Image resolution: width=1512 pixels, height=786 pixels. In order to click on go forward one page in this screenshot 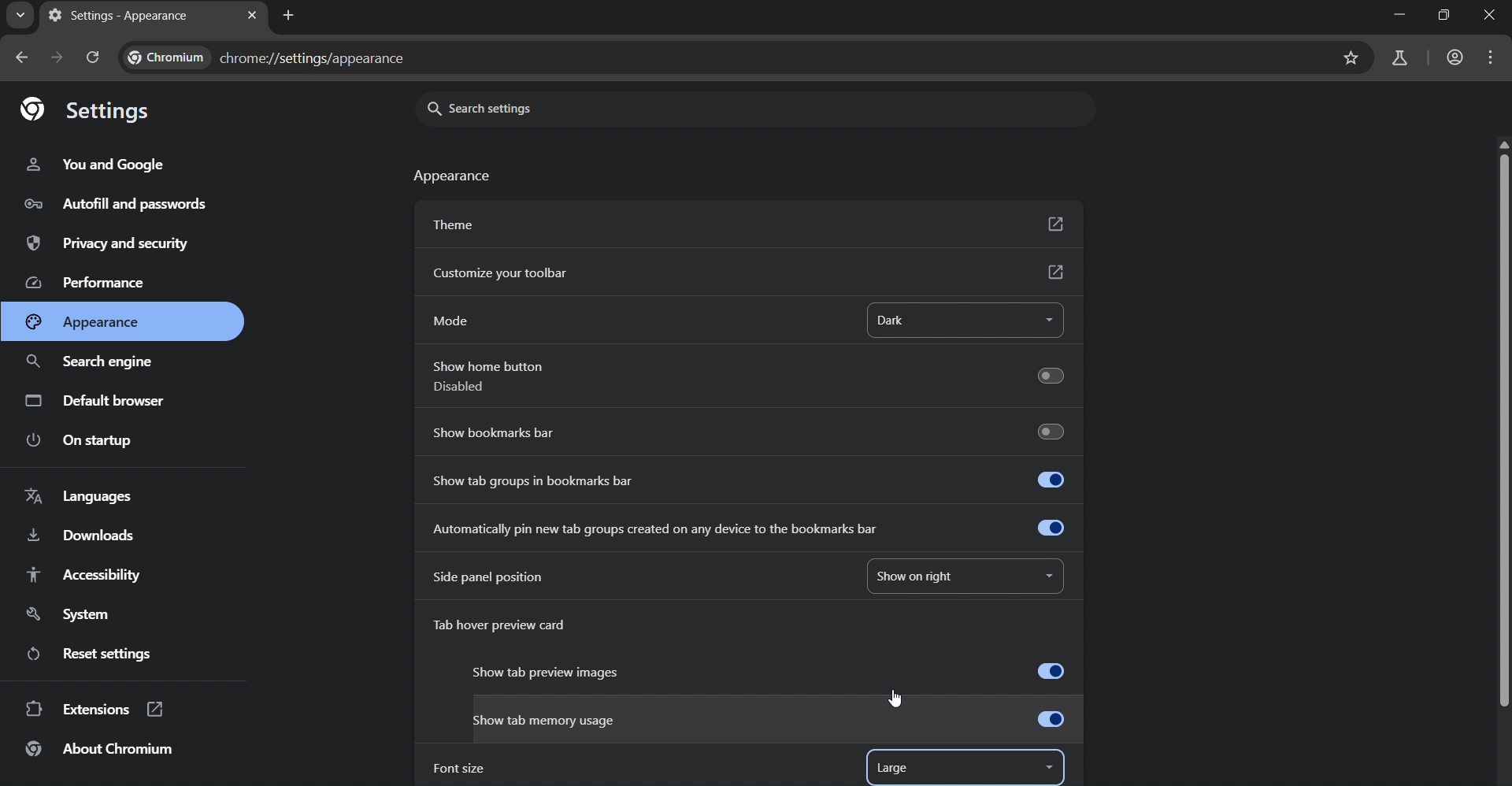, I will do `click(55, 58)`.